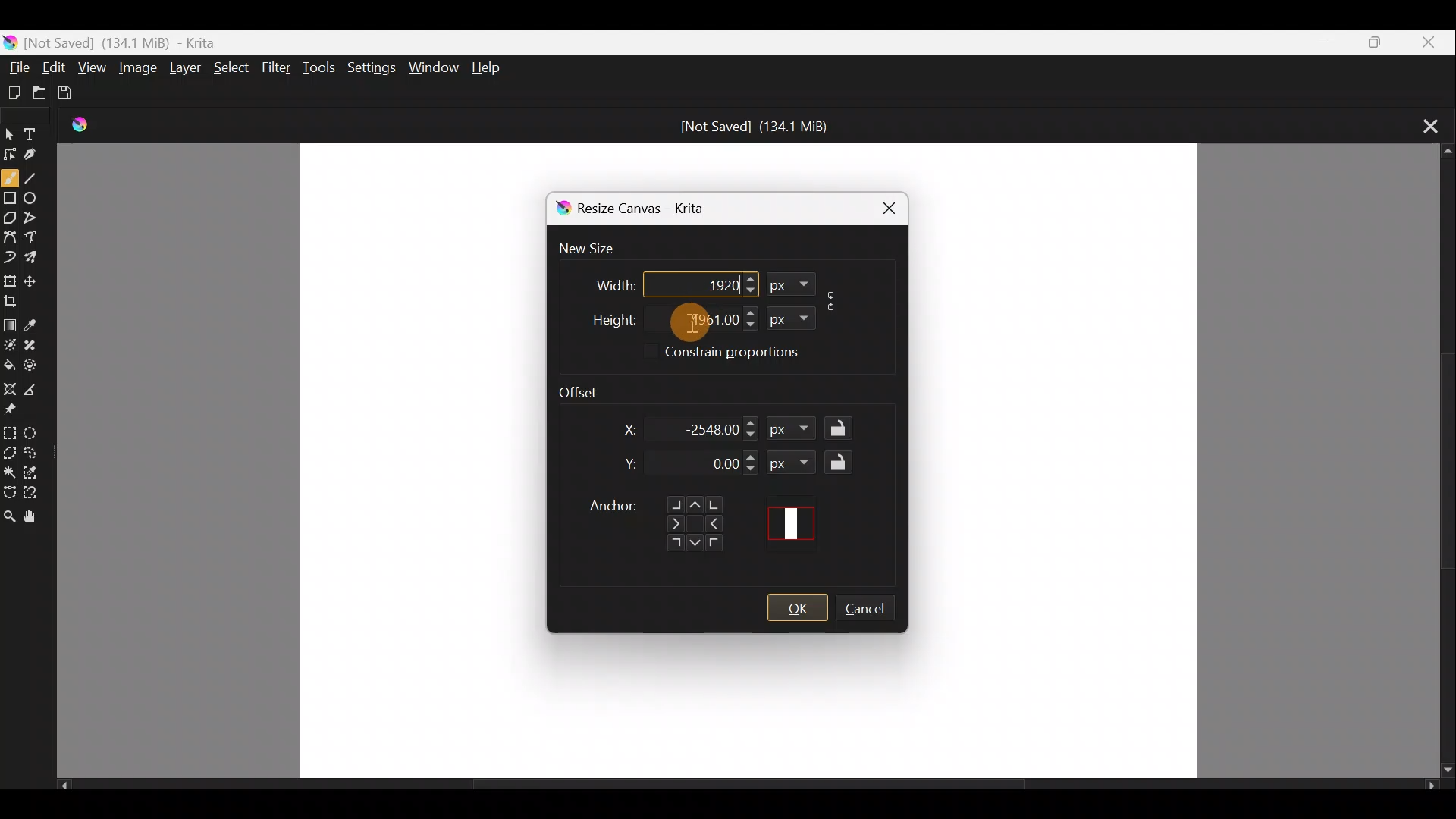 The width and height of the screenshot is (1456, 819). I want to click on Line tool, so click(35, 178).